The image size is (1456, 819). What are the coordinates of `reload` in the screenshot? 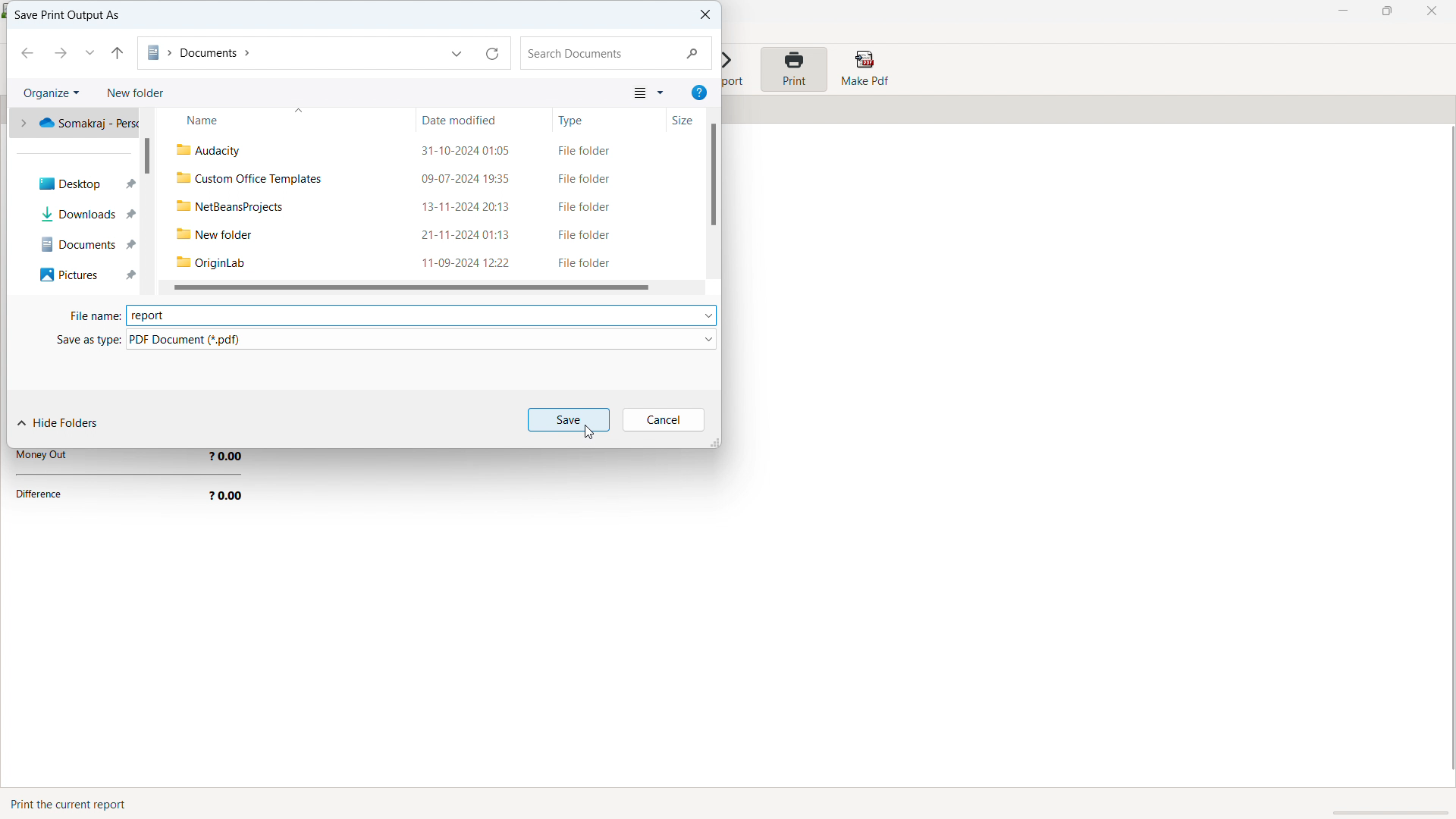 It's located at (494, 52).